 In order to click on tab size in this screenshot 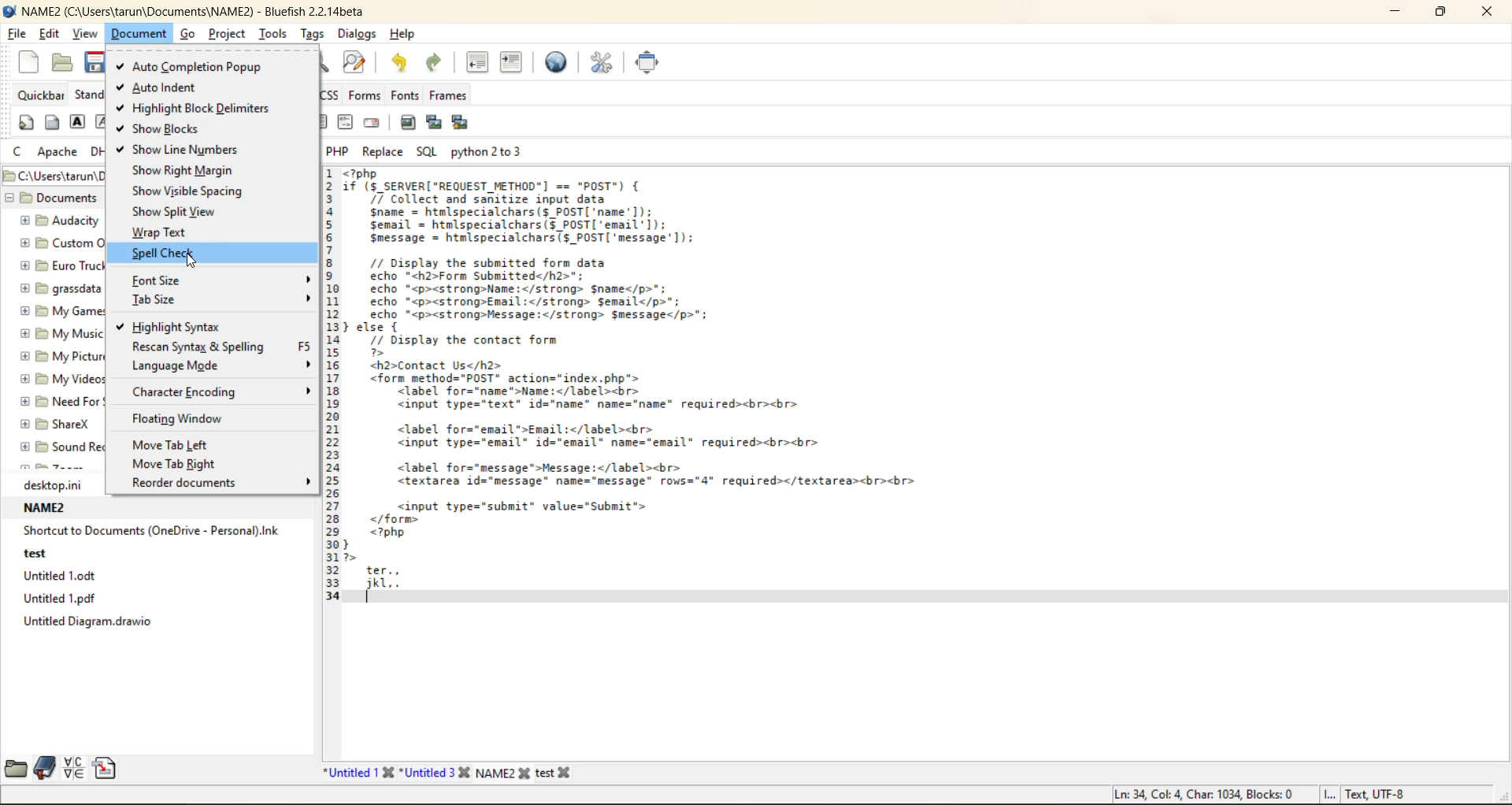, I will do `click(220, 300)`.